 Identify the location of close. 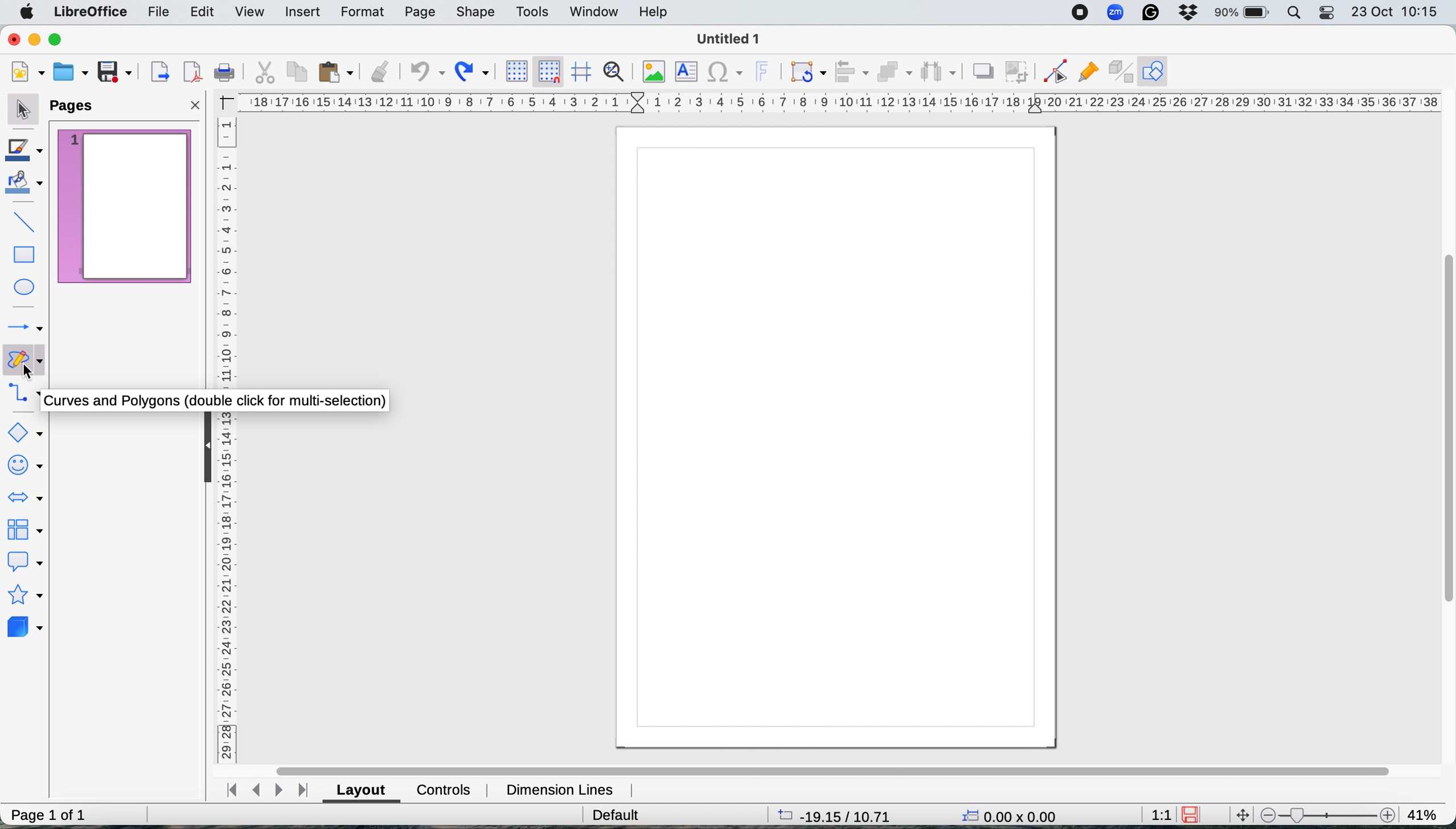
(196, 106).